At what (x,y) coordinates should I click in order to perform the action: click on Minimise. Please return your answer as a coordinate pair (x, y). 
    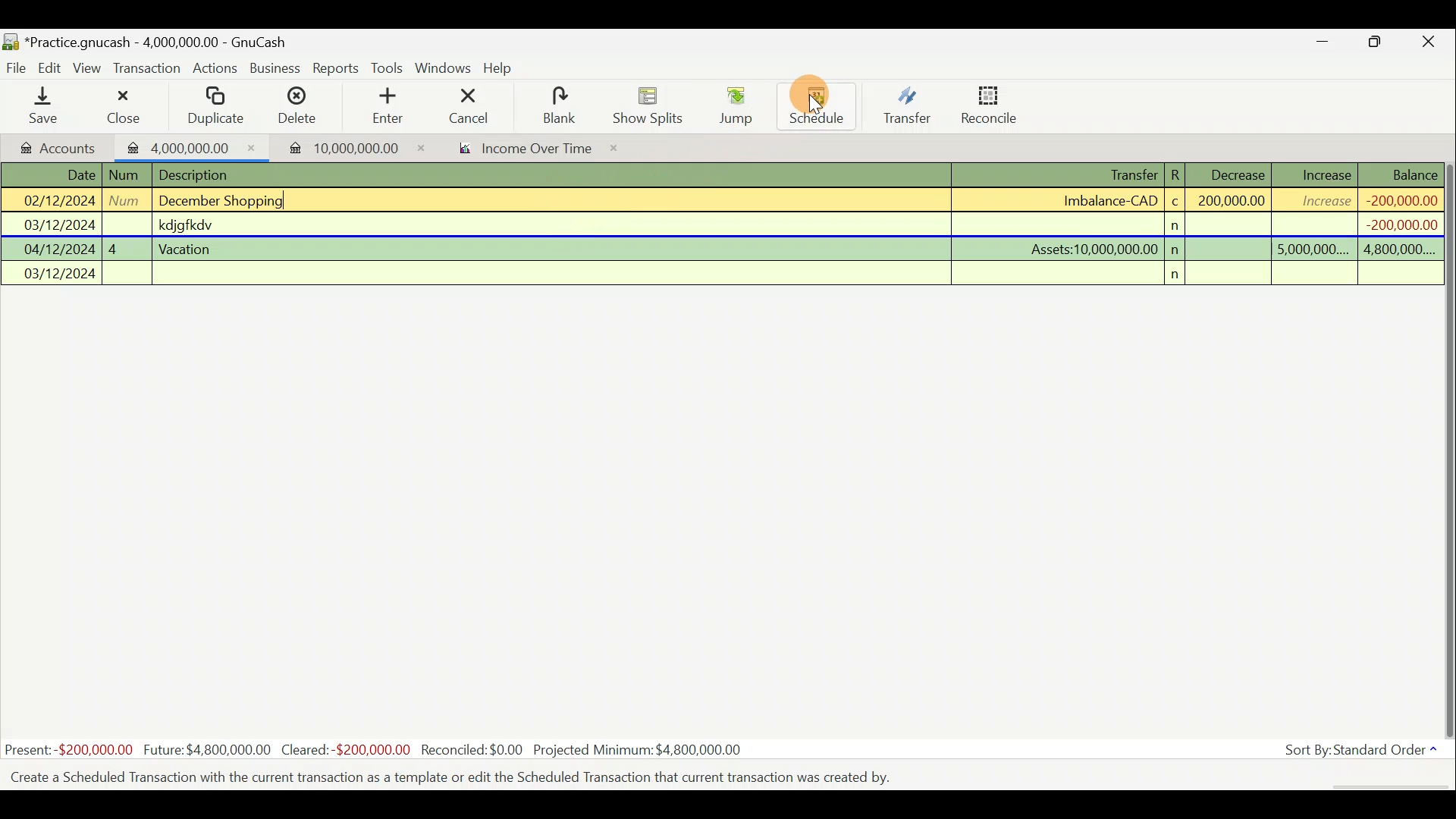
    Looking at the image, I should click on (1323, 45).